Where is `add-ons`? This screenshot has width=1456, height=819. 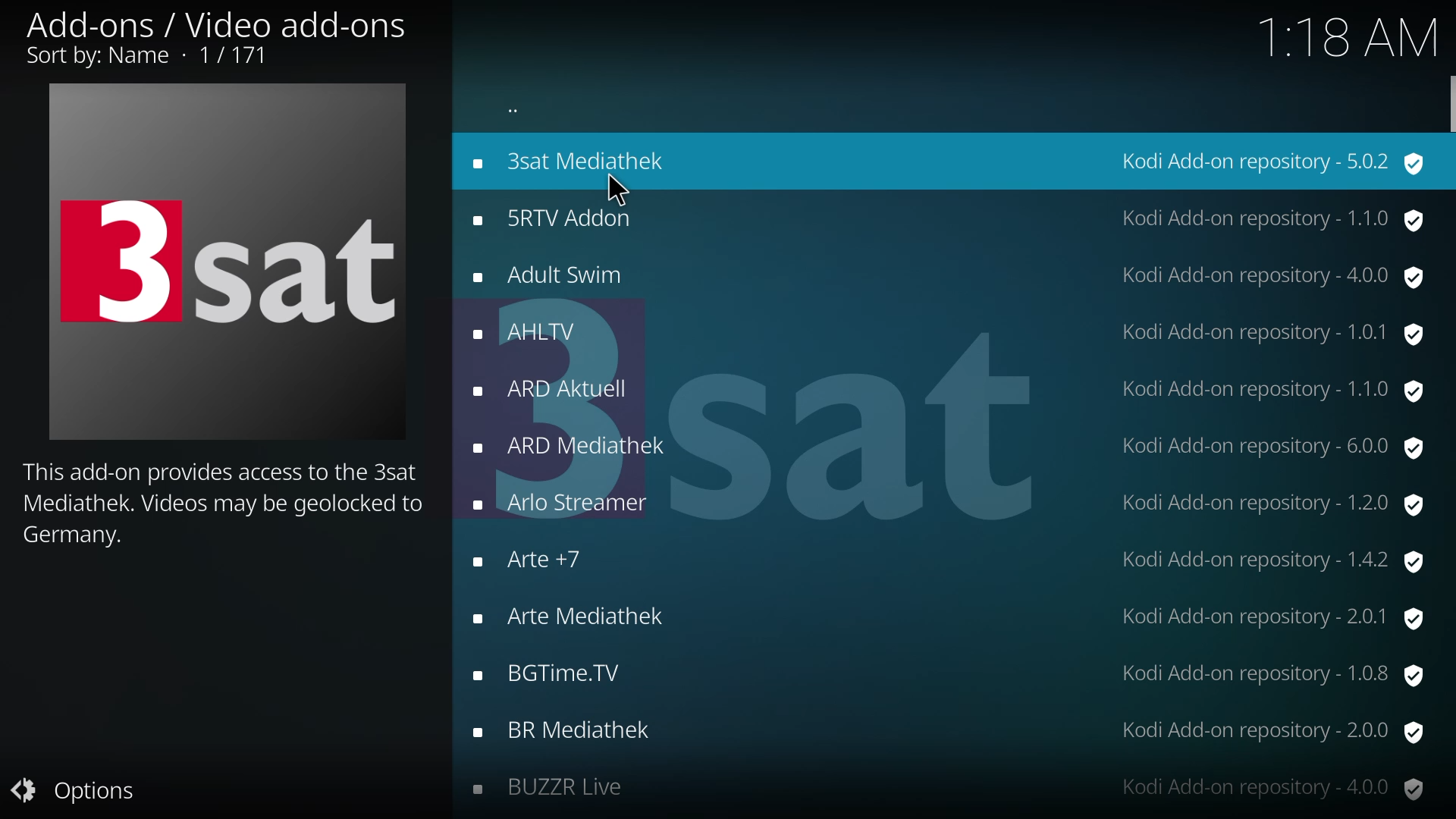 add-ons is located at coordinates (581, 161).